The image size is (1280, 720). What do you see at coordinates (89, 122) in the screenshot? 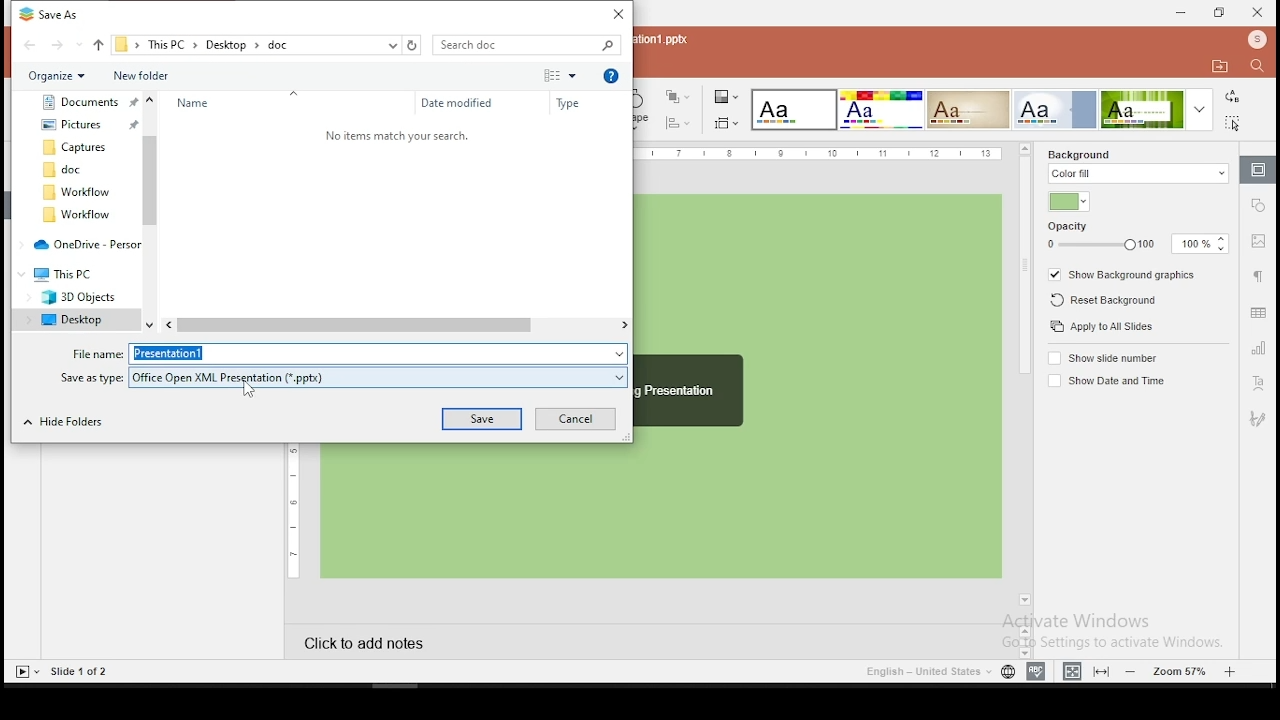
I see `Pictures` at bounding box center [89, 122].